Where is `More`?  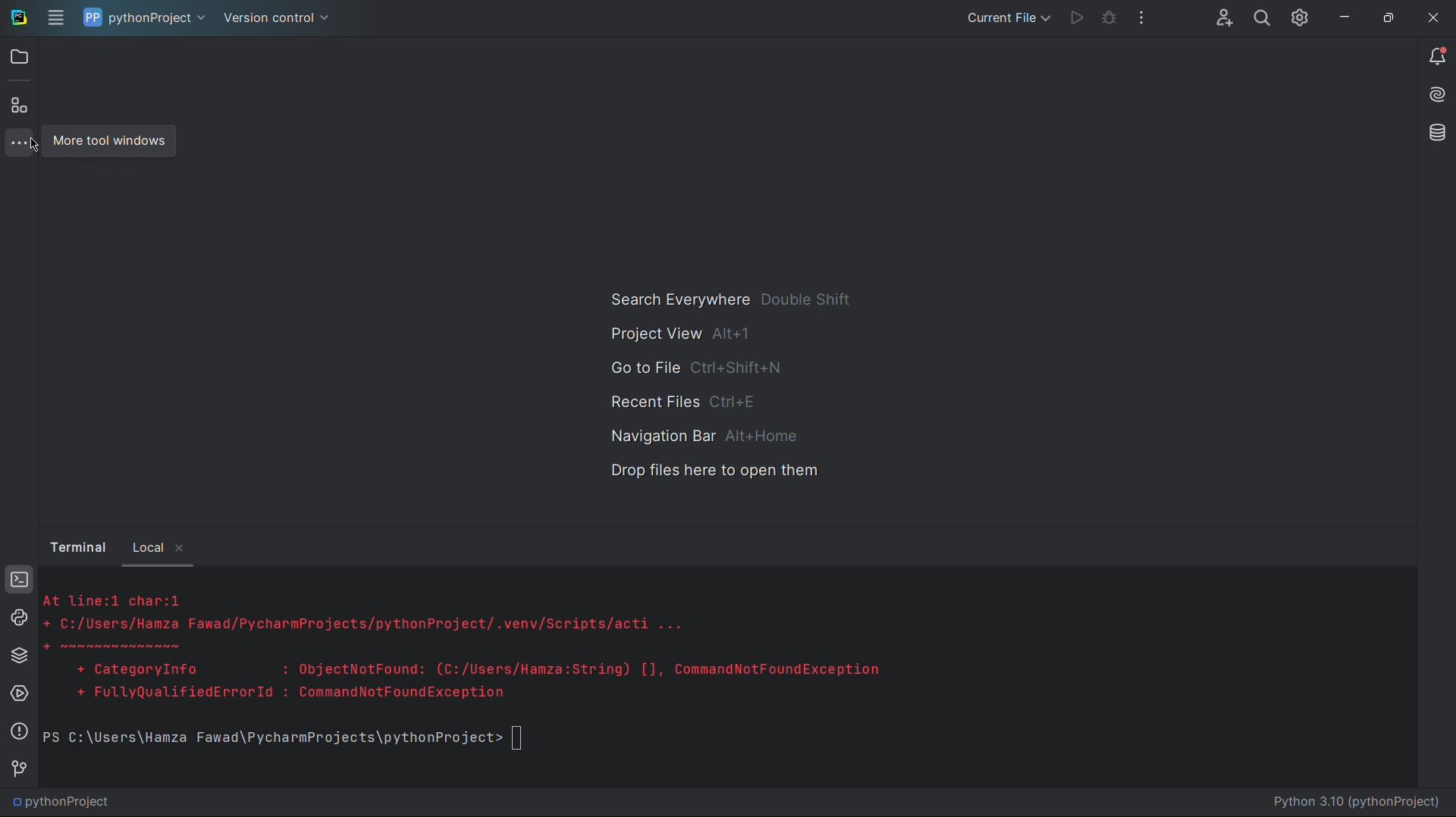
More is located at coordinates (14, 140).